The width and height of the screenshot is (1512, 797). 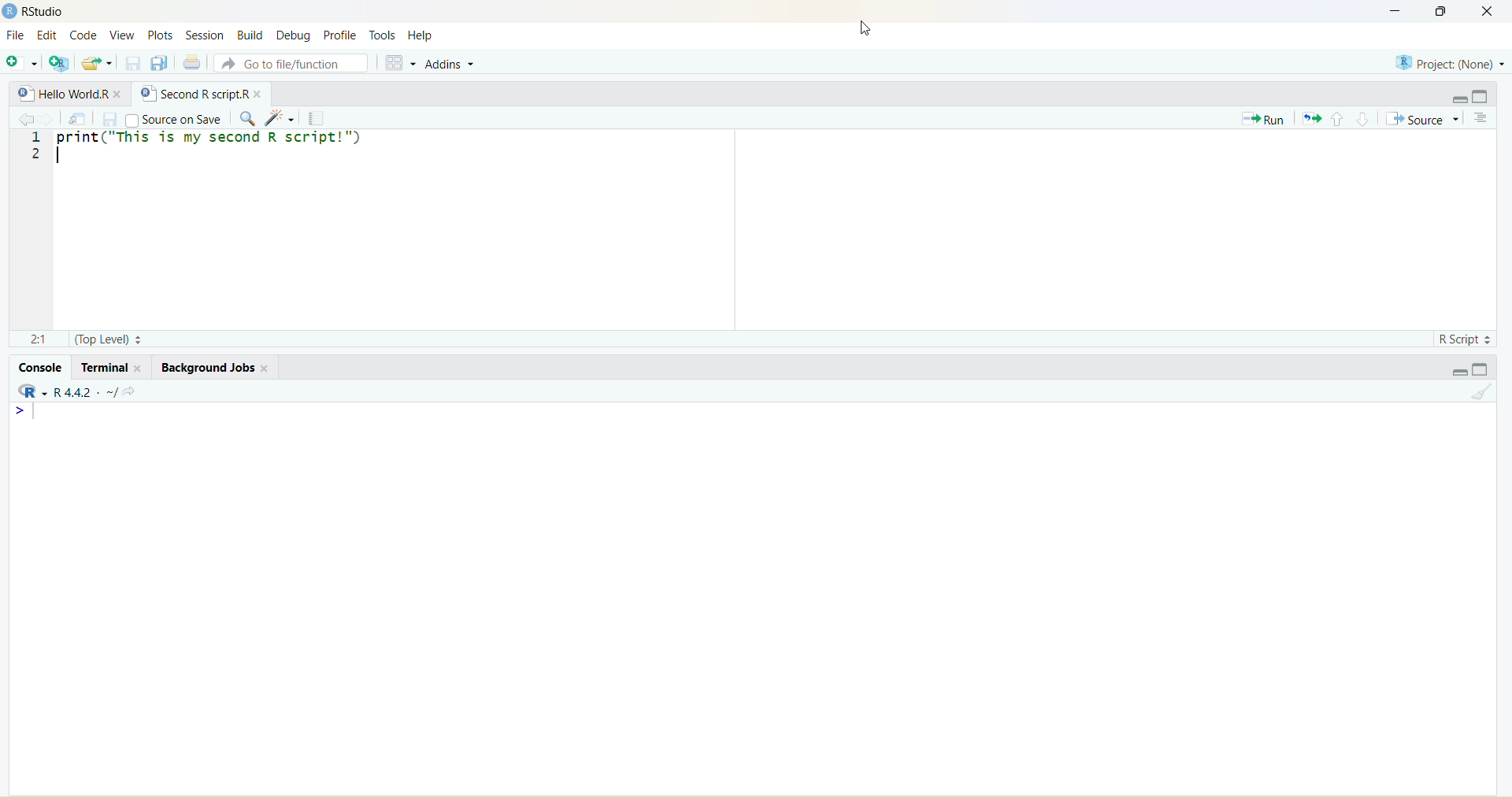 I want to click on File, so click(x=17, y=34).